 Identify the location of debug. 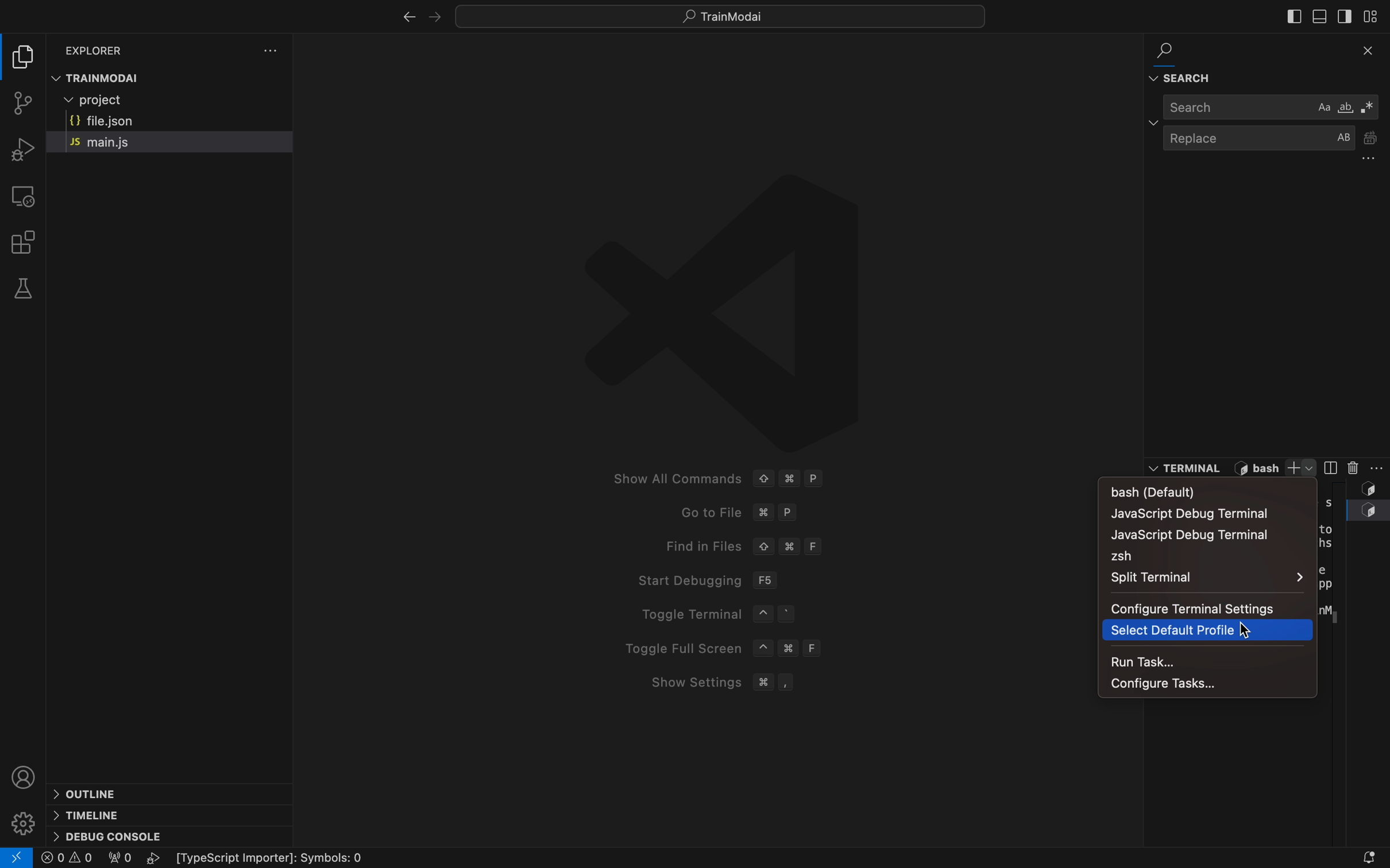
(110, 837).